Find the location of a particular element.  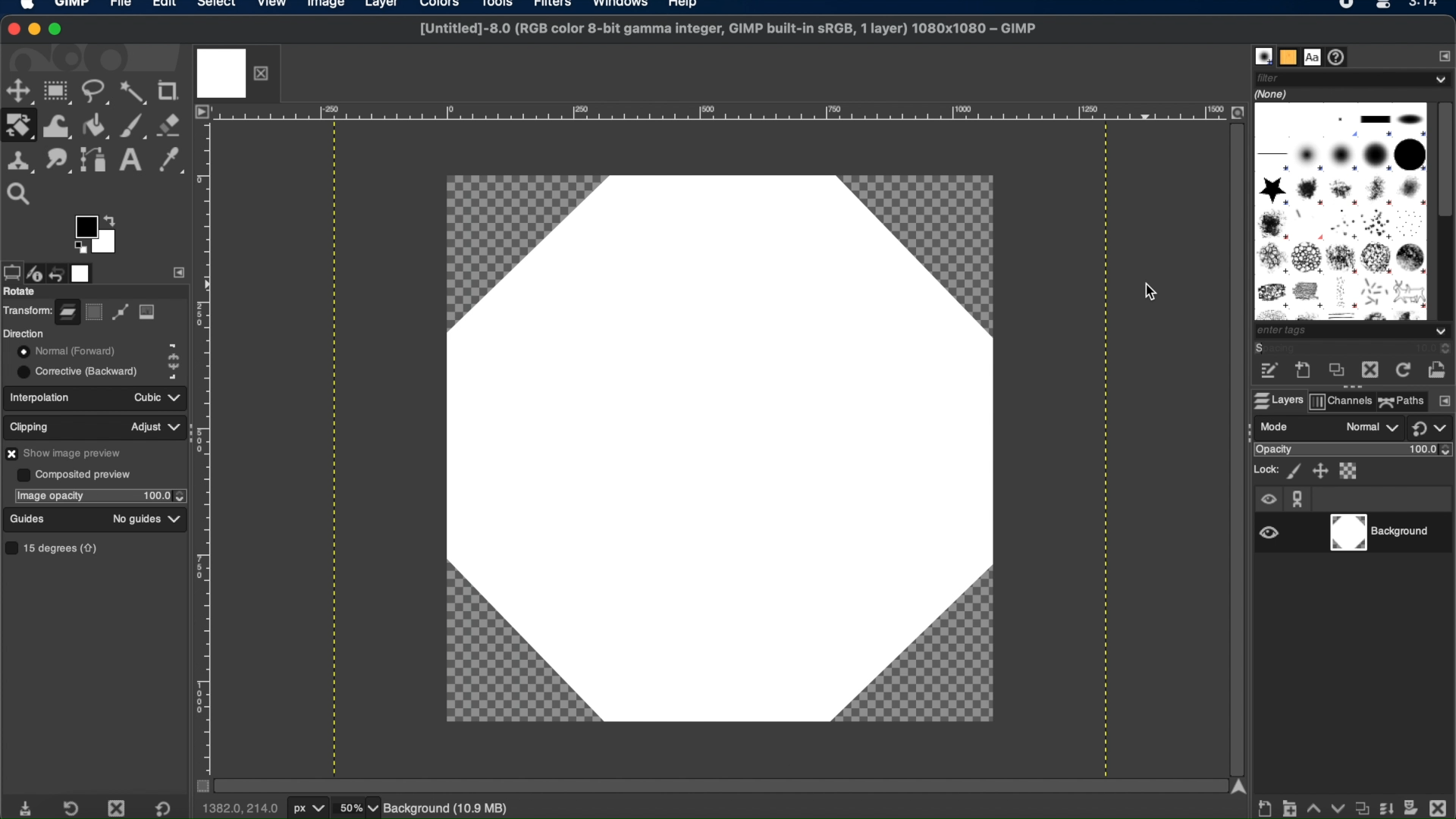

preview is located at coordinates (80, 248).